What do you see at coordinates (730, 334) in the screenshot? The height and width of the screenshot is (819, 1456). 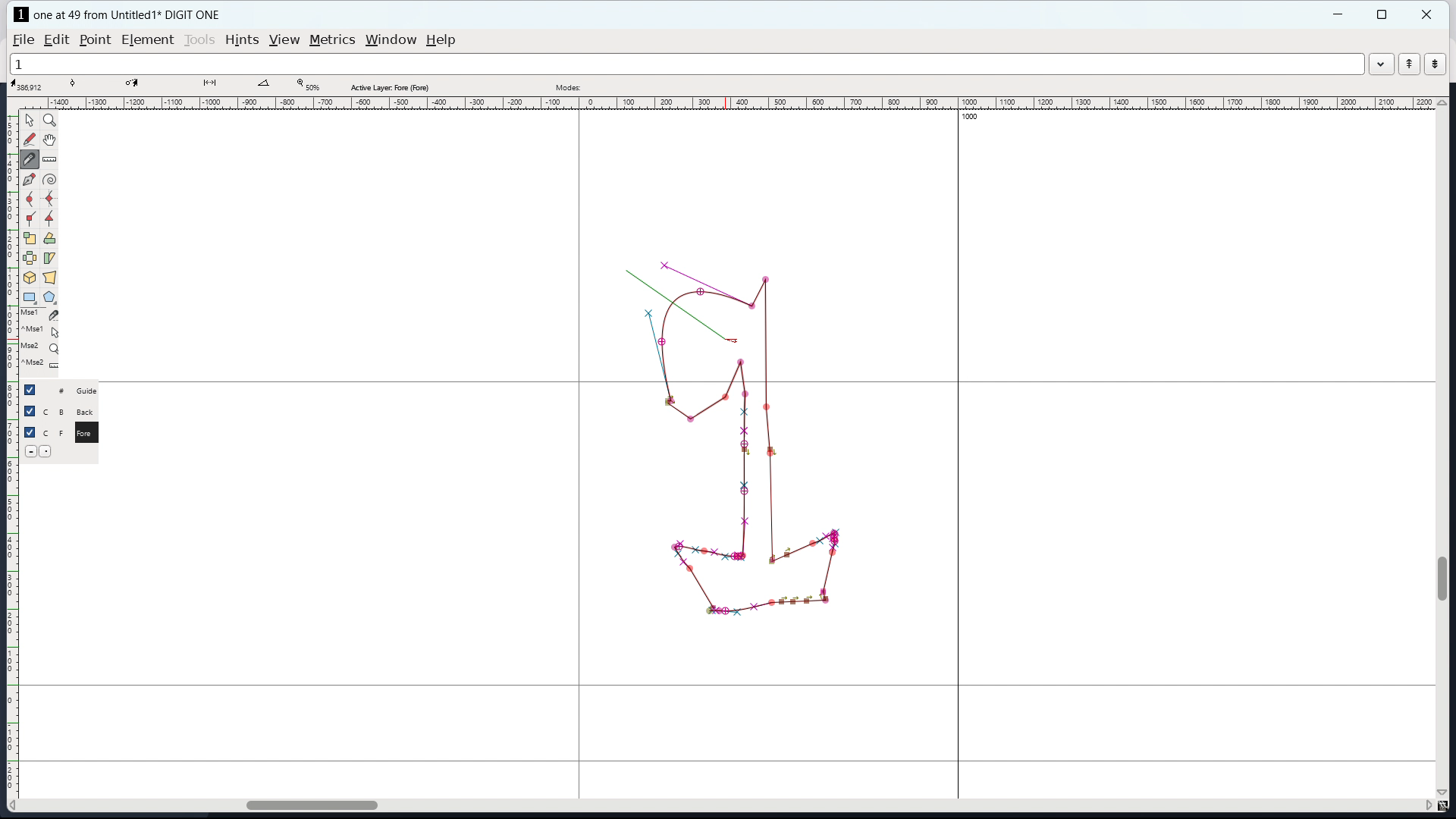 I see `cursor` at bounding box center [730, 334].